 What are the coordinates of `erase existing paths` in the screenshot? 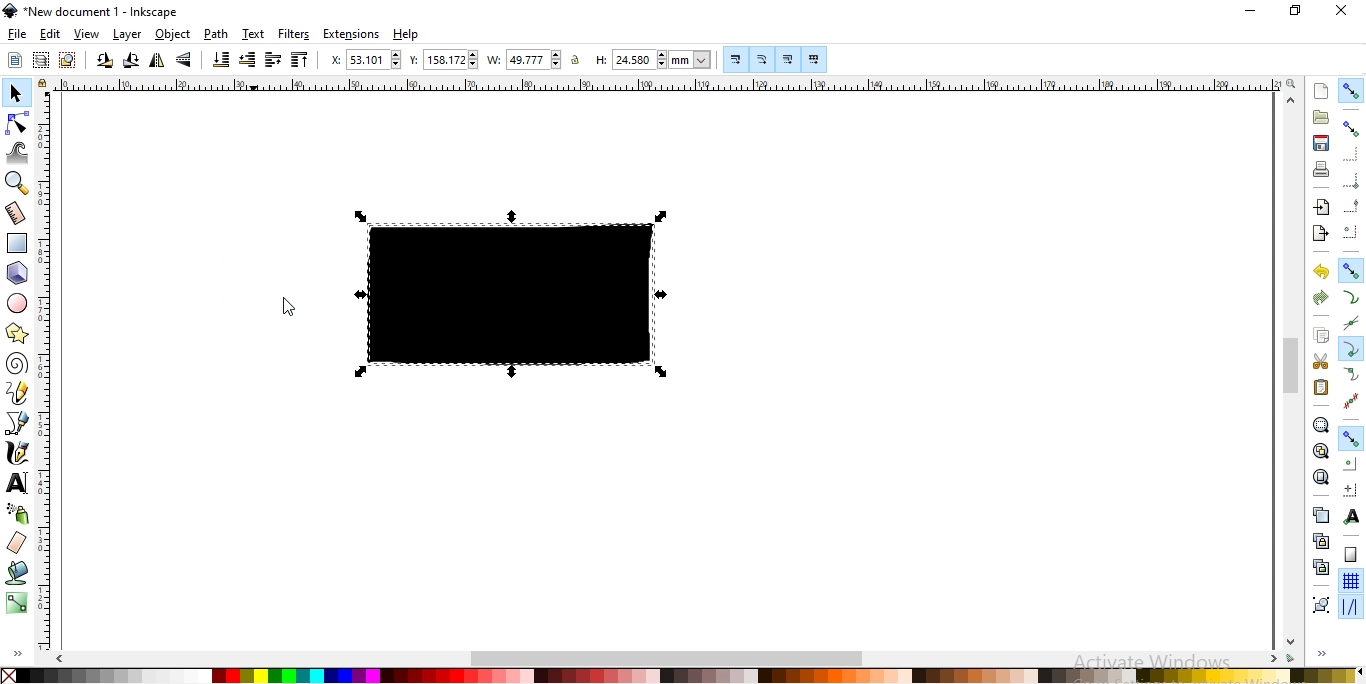 It's located at (19, 543).